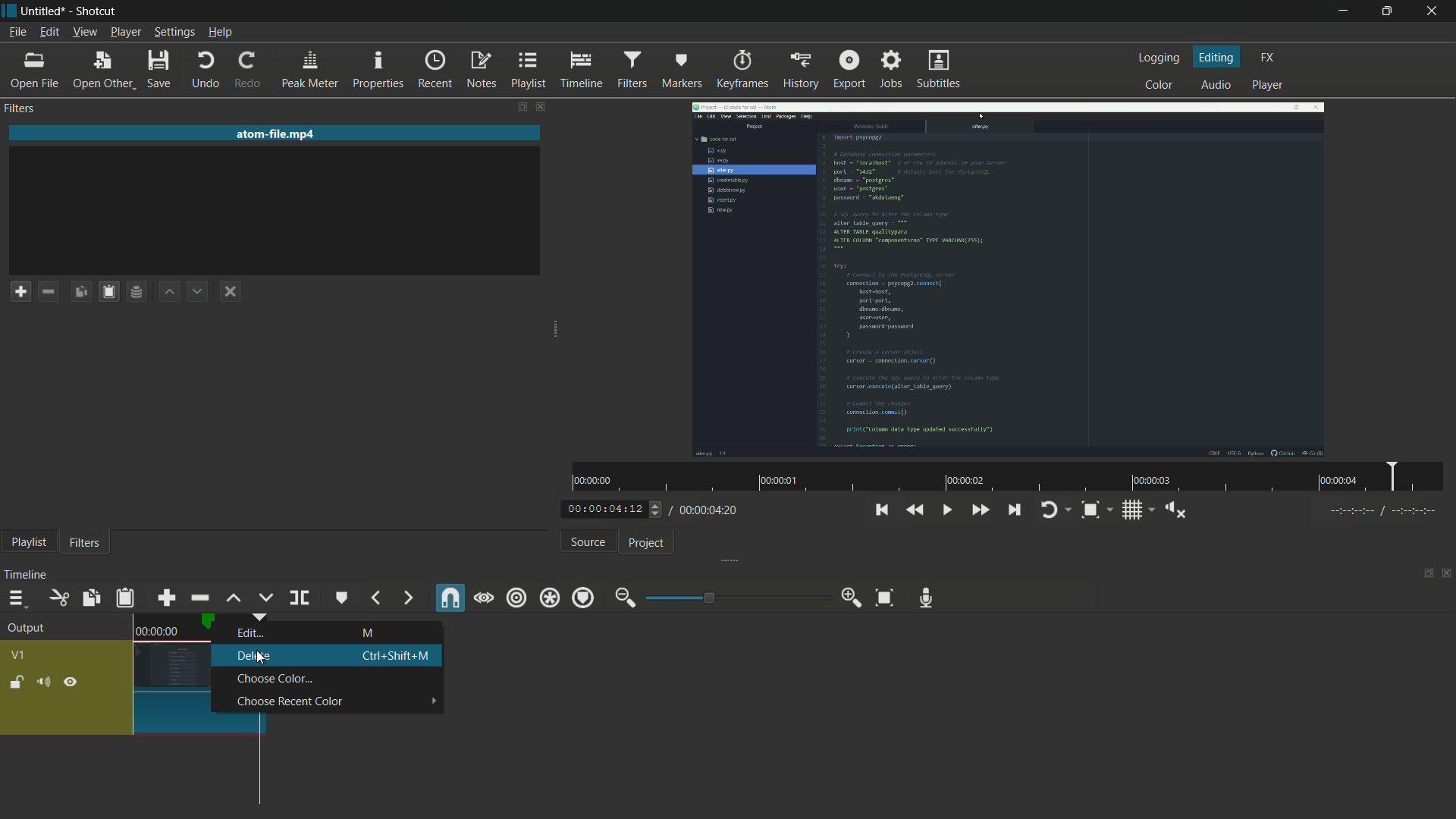 This screenshot has width=1456, height=819. Describe the element at coordinates (450, 598) in the screenshot. I see `snap` at that location.